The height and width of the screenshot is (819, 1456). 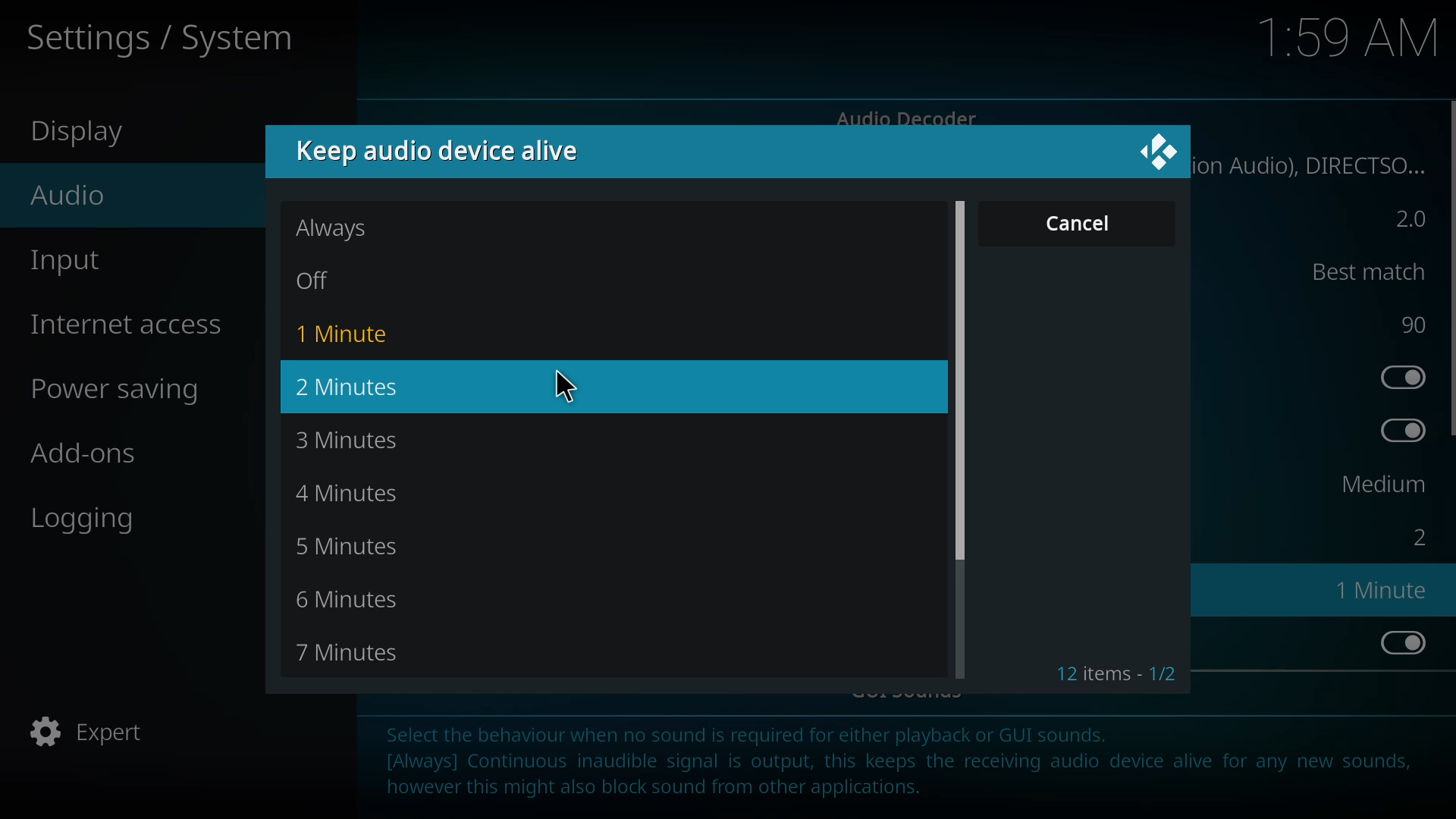 What do you see at coordinates (355, 602) in the screenshot?
I see `6 min` at bounding box center [355, 602].